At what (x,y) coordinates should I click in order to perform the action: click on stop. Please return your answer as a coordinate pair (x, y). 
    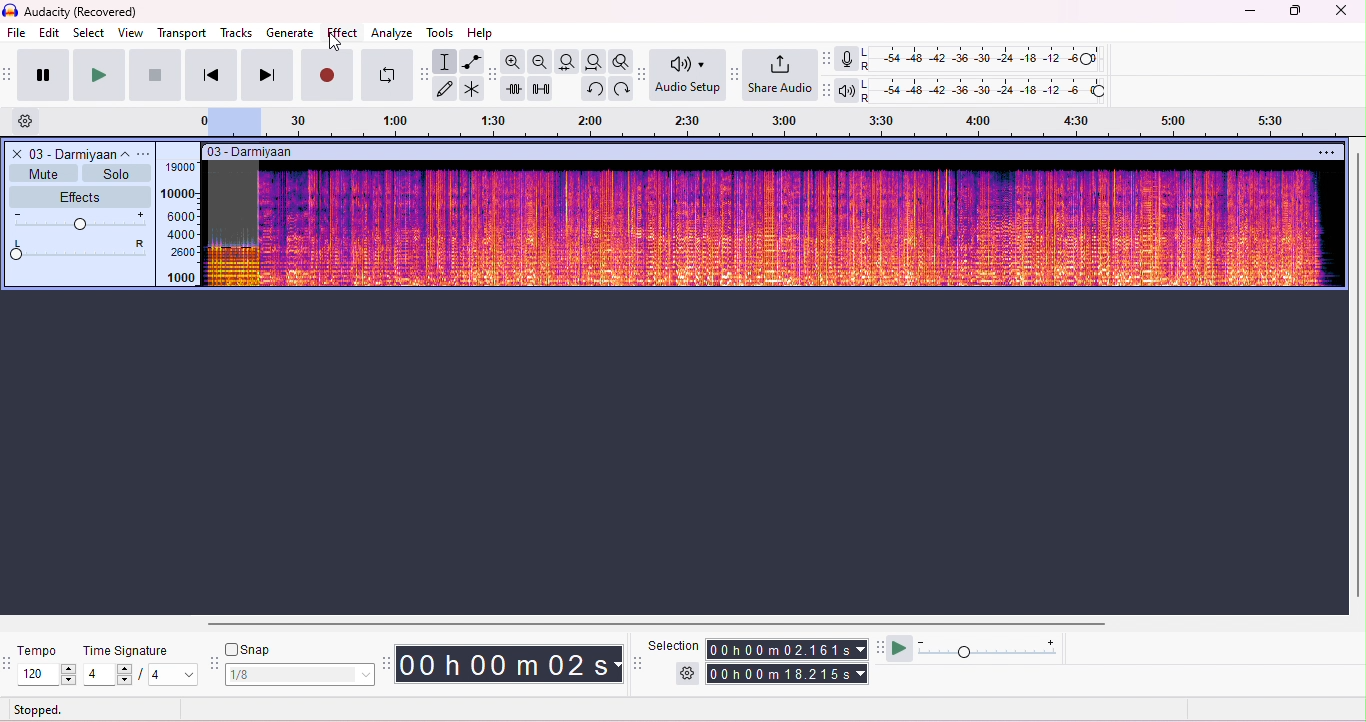
    Looking at the image, I should click on (155, 74).